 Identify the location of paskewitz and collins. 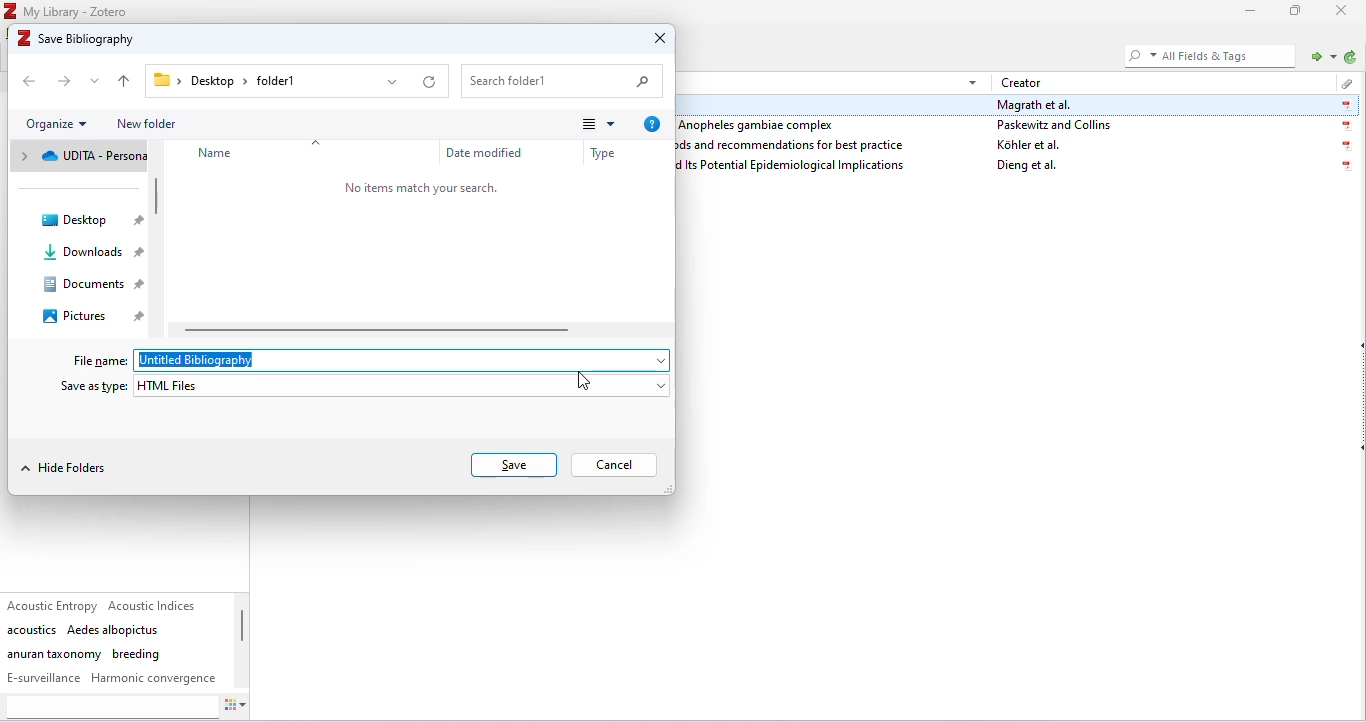
(1057, 125).